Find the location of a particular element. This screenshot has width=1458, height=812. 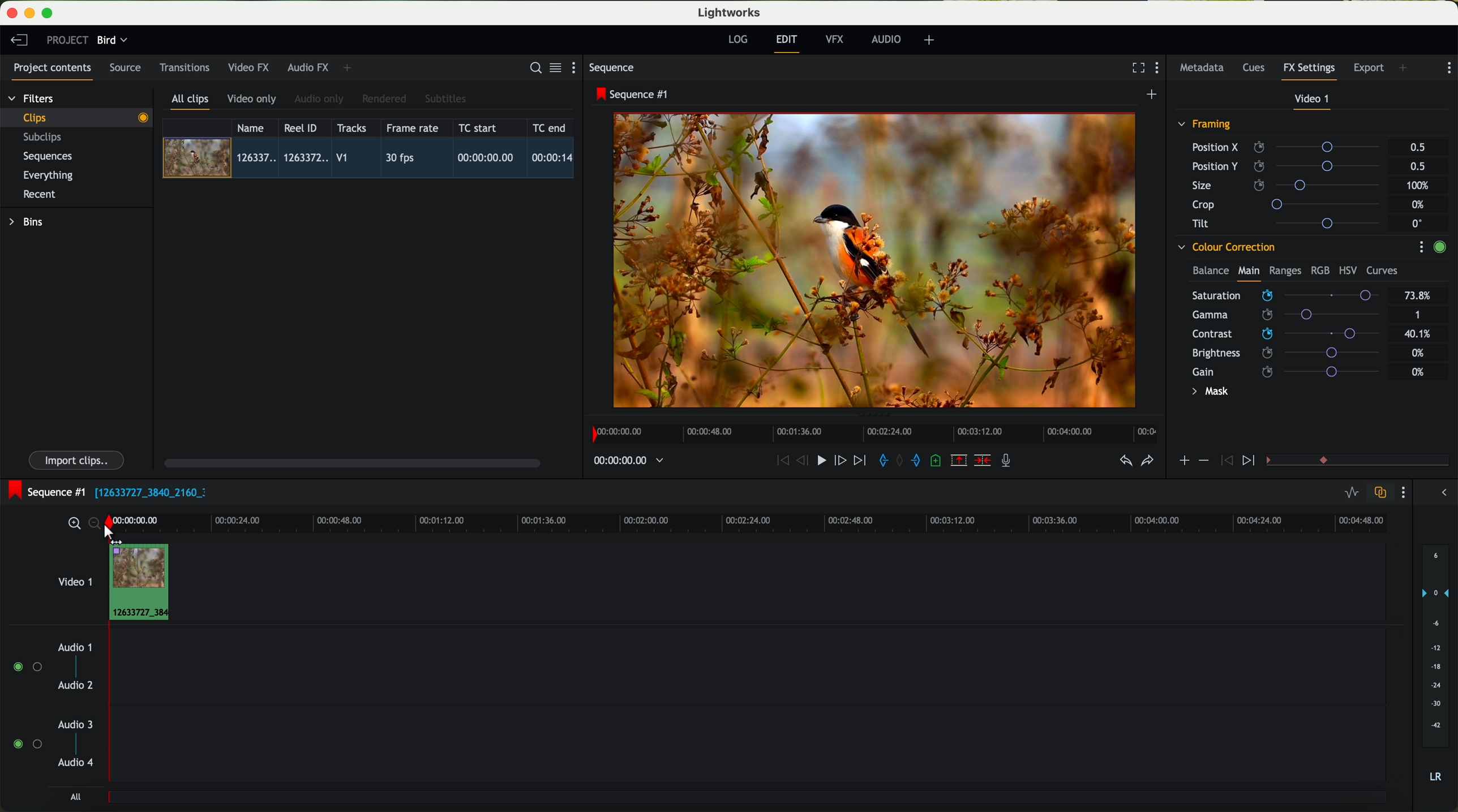

timeline is located at coordinates (784, 522).